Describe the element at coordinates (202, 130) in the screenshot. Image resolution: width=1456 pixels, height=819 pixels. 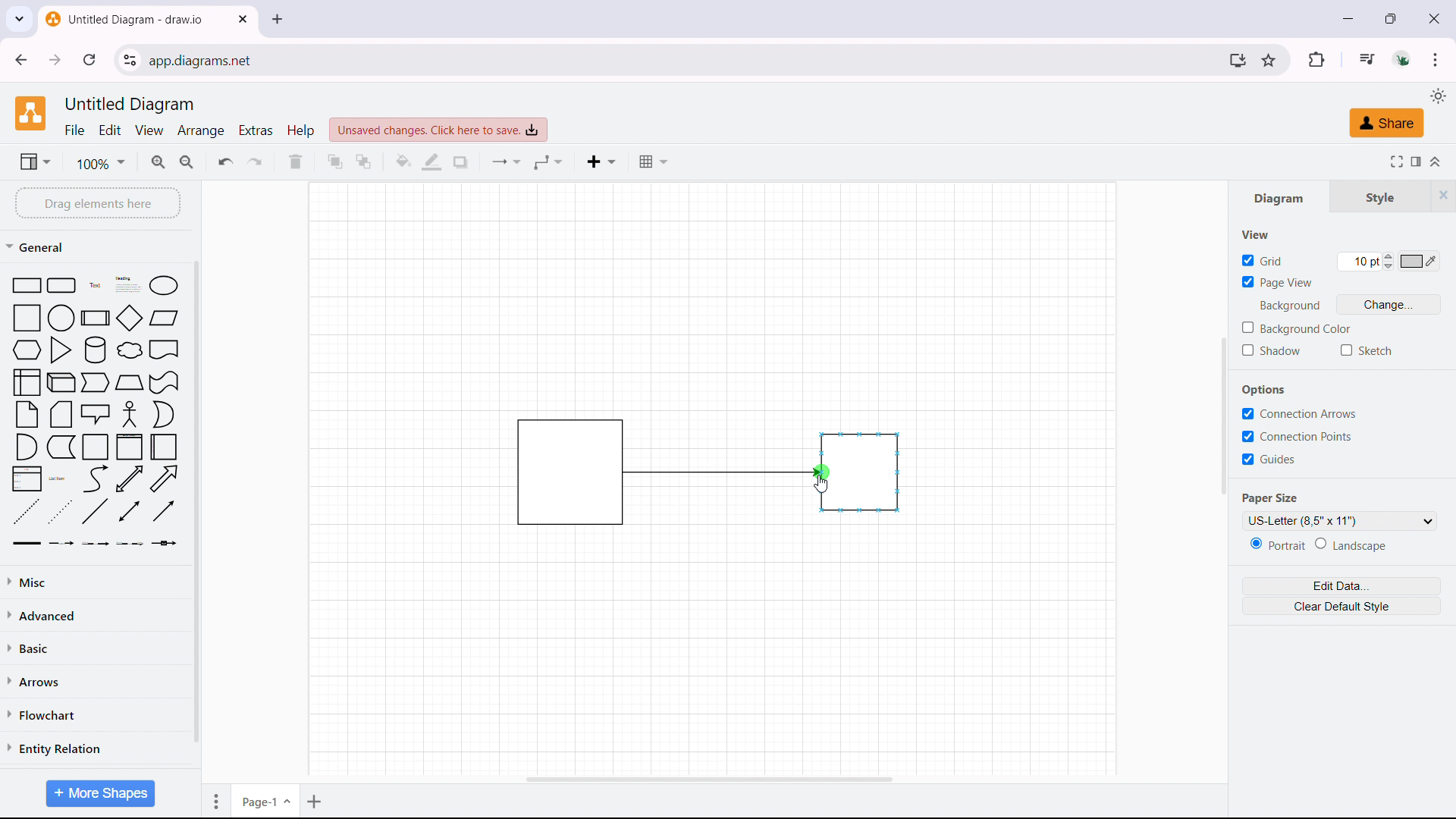
I see `arrange` at that location.